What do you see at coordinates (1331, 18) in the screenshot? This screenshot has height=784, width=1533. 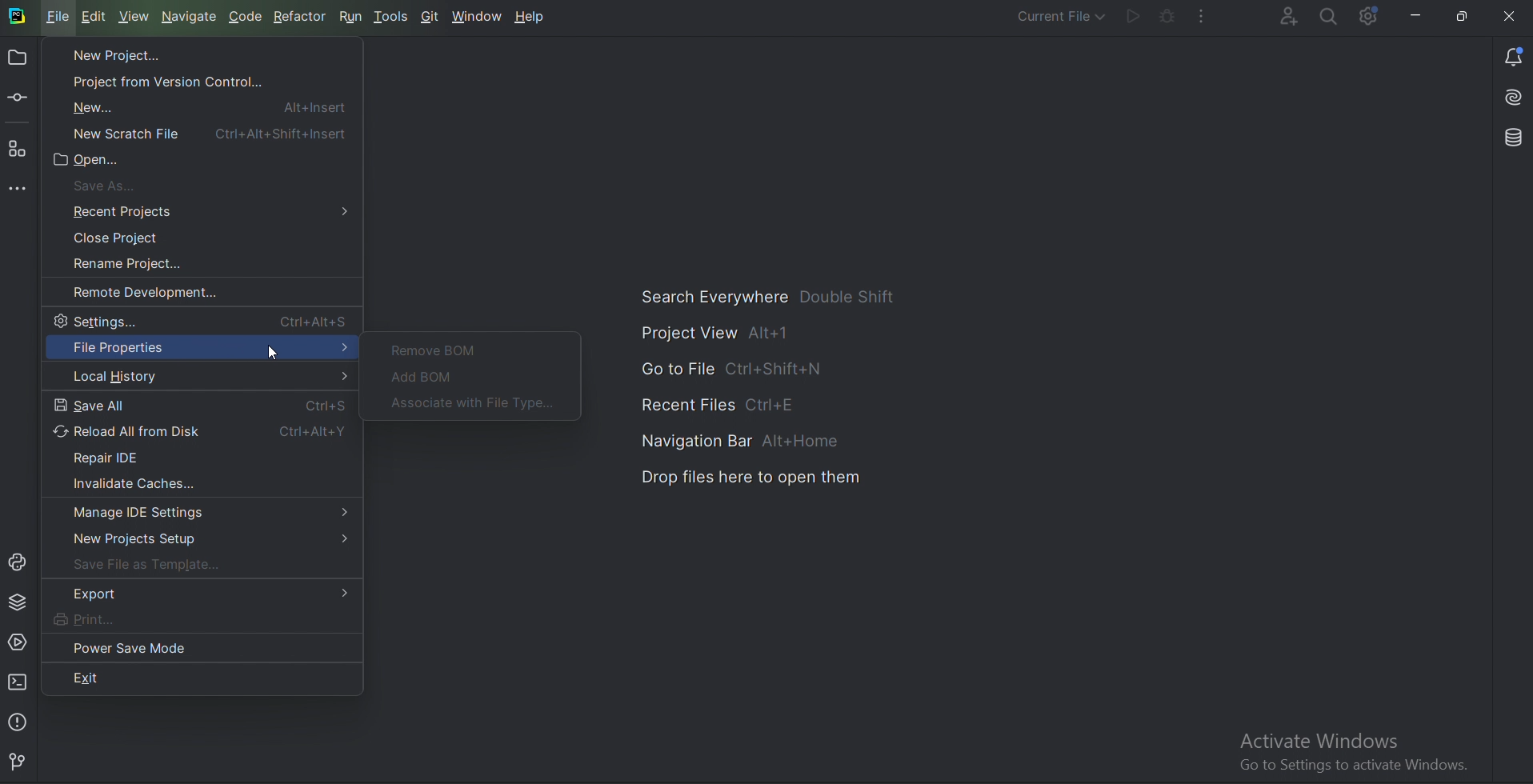 I see `Search everywhere` at bounding box center [1331, 18].